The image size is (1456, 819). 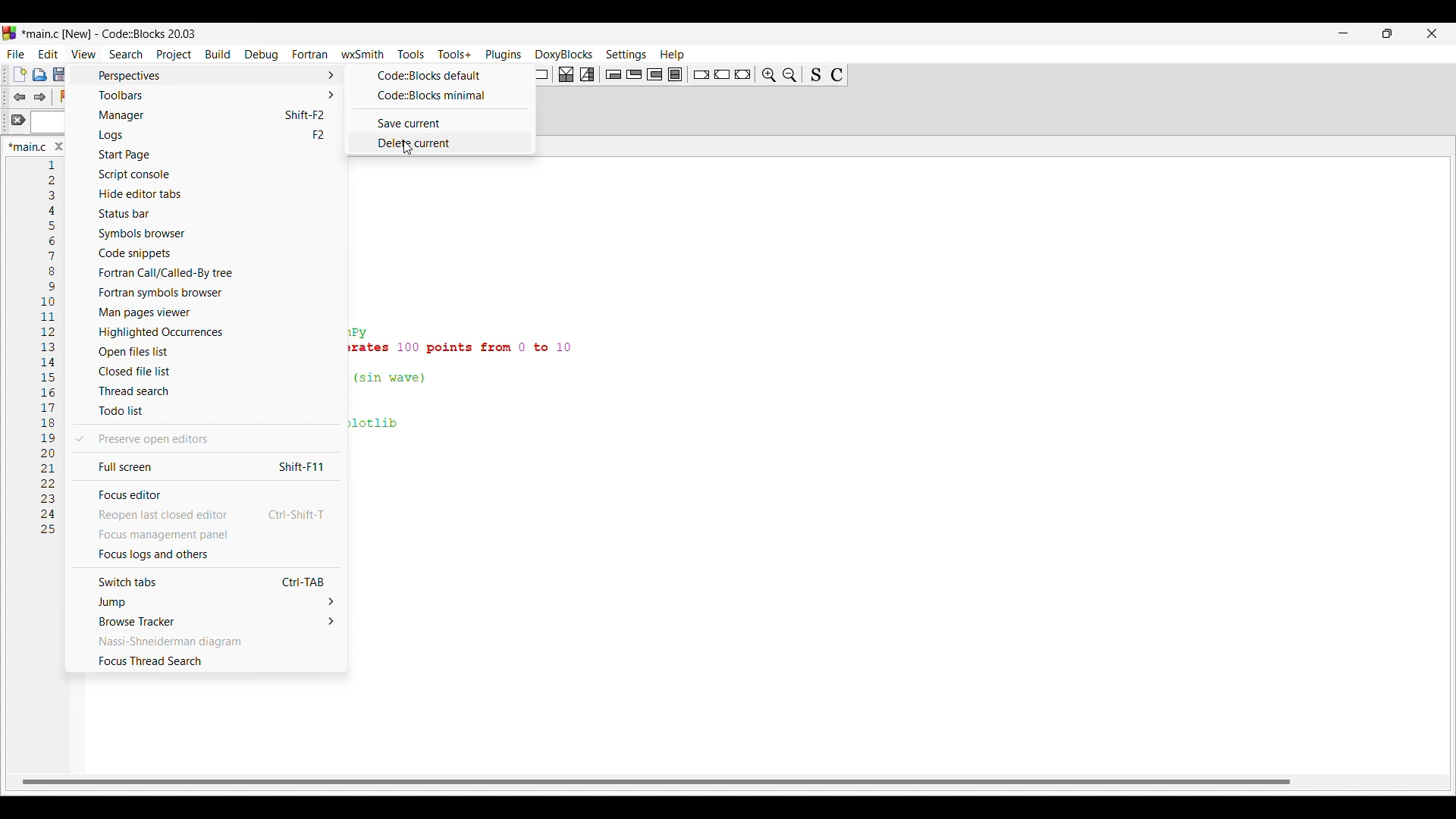 I want to click on Help menu, so click(x=673, y=55).